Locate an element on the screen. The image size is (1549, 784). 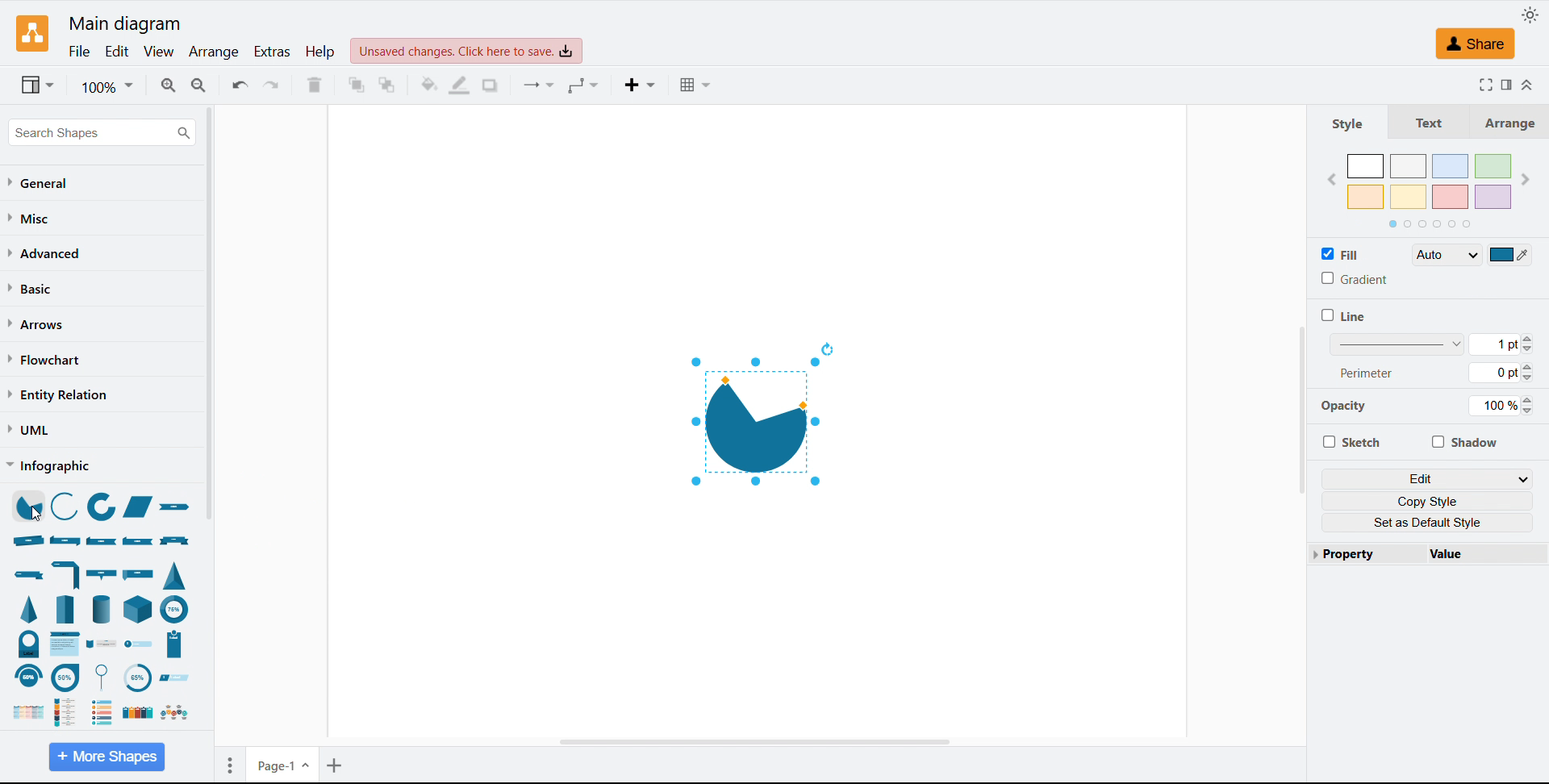
Unsaved changes click to save  is located at coordinates (466, 50).